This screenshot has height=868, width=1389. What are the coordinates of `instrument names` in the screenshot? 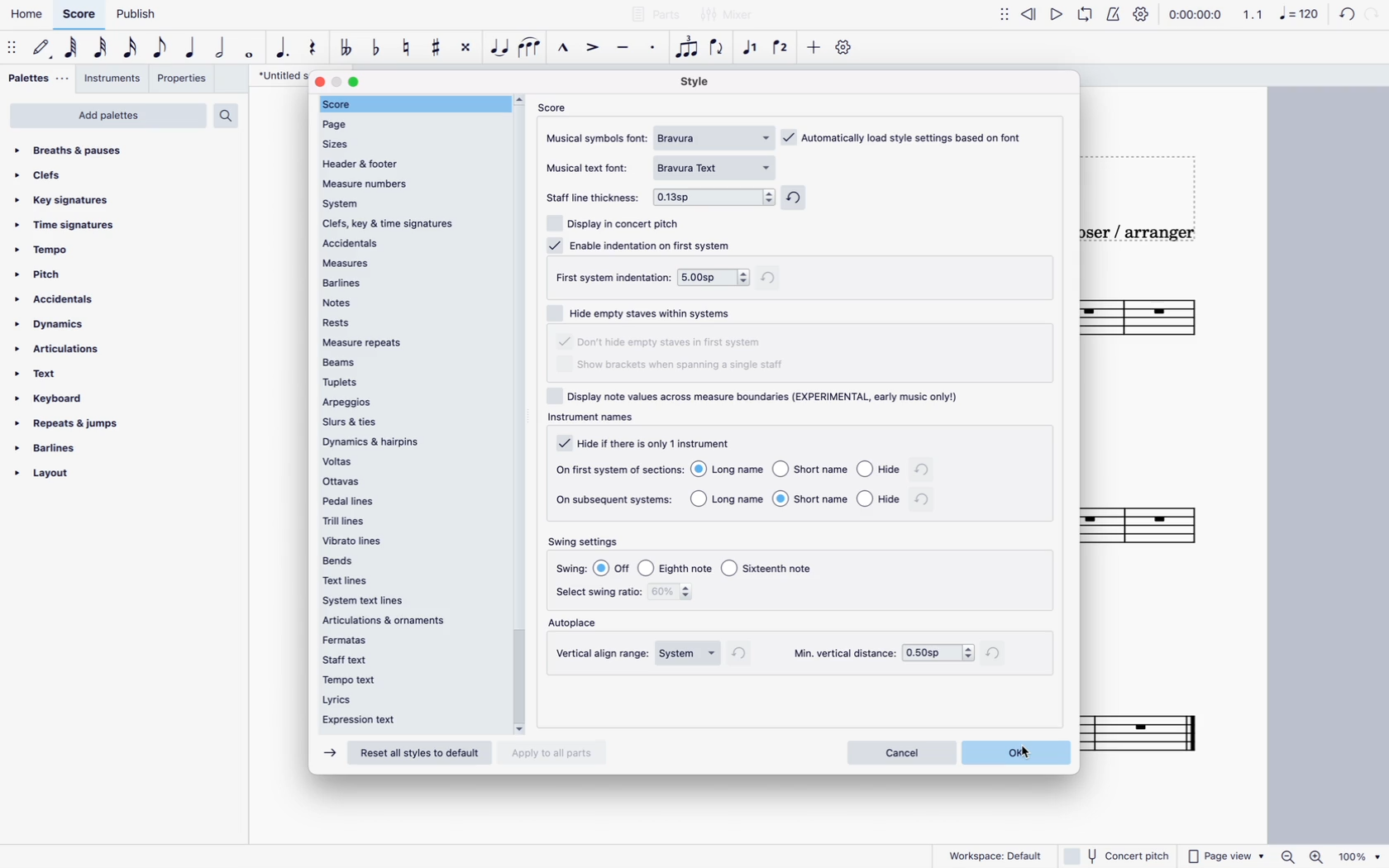 It's located at (596, 419).